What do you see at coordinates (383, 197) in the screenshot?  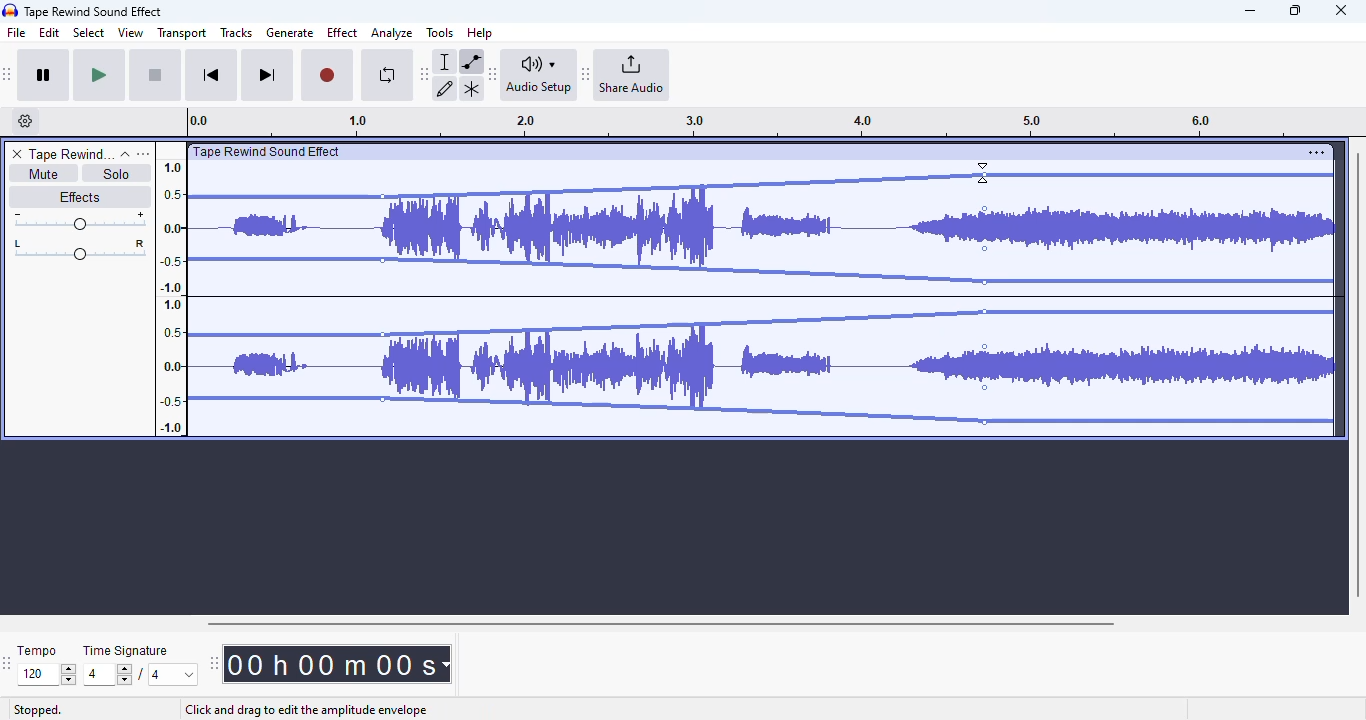 I see `Control point` at bounding box center [383, 197].